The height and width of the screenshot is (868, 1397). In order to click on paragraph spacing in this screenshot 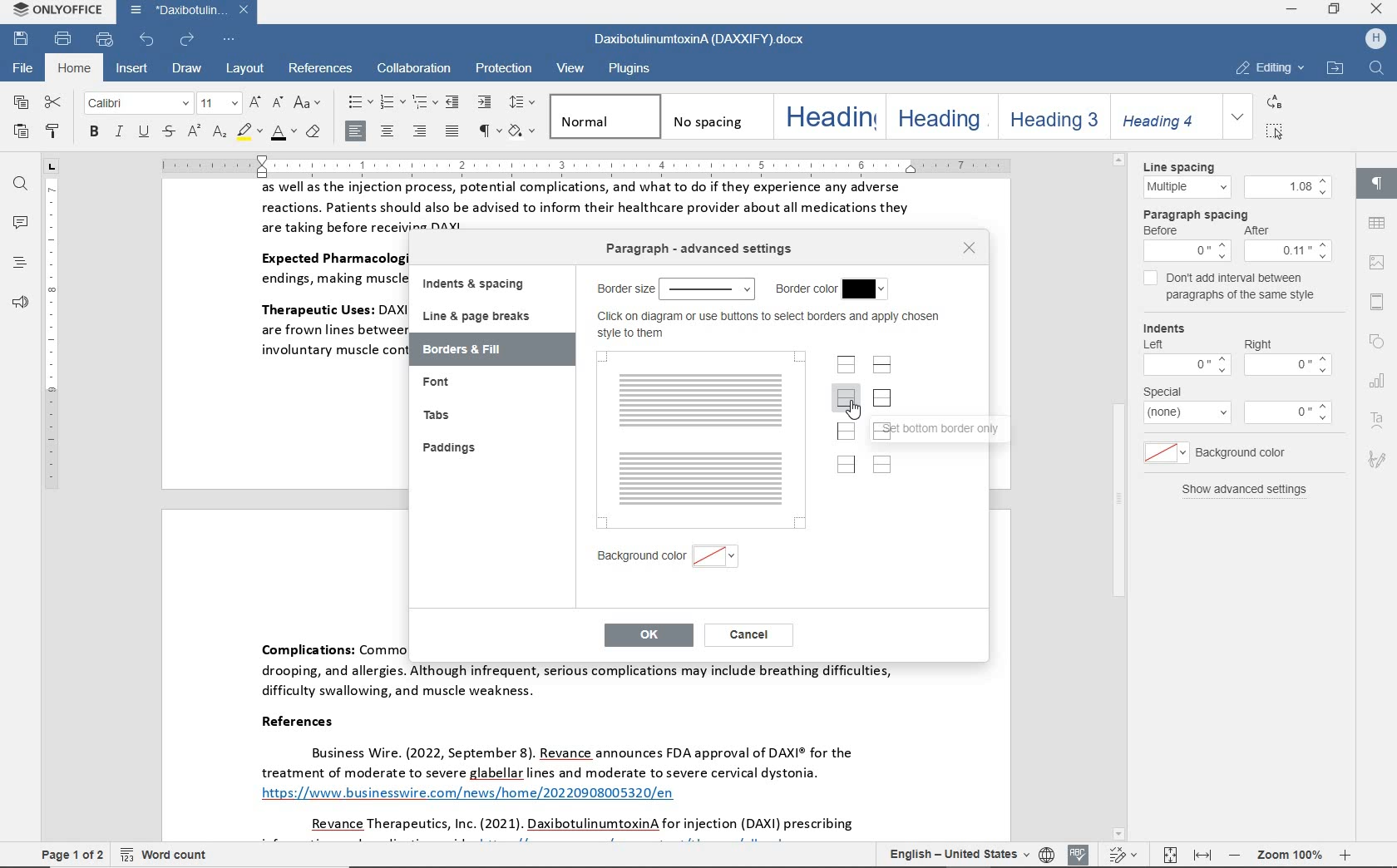, I will do `click(1237, 234)`.